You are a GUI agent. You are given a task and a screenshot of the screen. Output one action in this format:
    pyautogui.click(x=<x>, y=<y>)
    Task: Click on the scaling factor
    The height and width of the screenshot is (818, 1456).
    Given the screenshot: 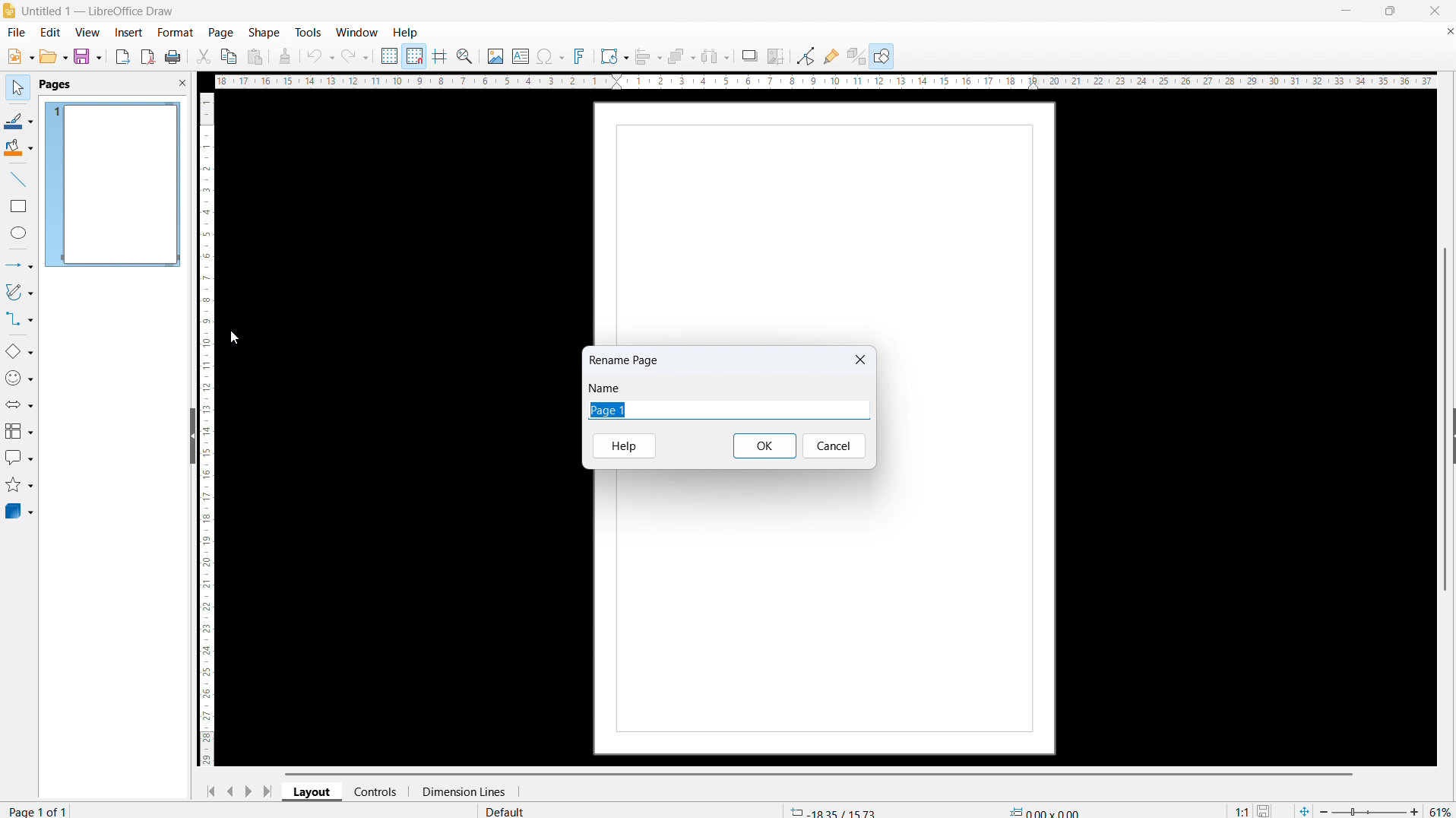 What is the action you would take?
    pyautogui.click(x=1242, y=809)
    